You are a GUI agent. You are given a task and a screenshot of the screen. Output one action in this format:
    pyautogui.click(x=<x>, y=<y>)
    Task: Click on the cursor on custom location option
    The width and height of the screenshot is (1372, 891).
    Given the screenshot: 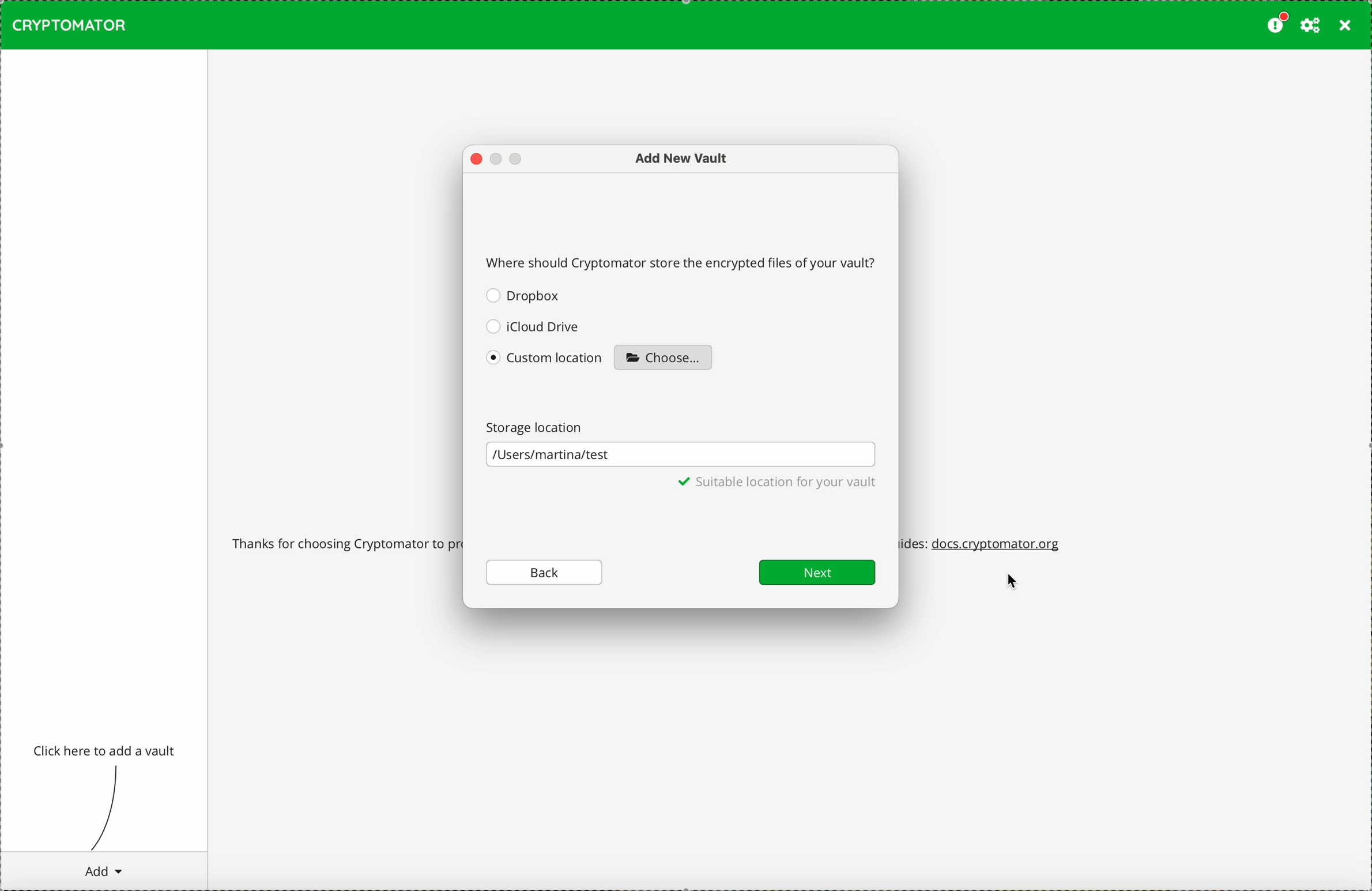 What is the action you would take?
    pyautogui.click(x=546, y=362)
    